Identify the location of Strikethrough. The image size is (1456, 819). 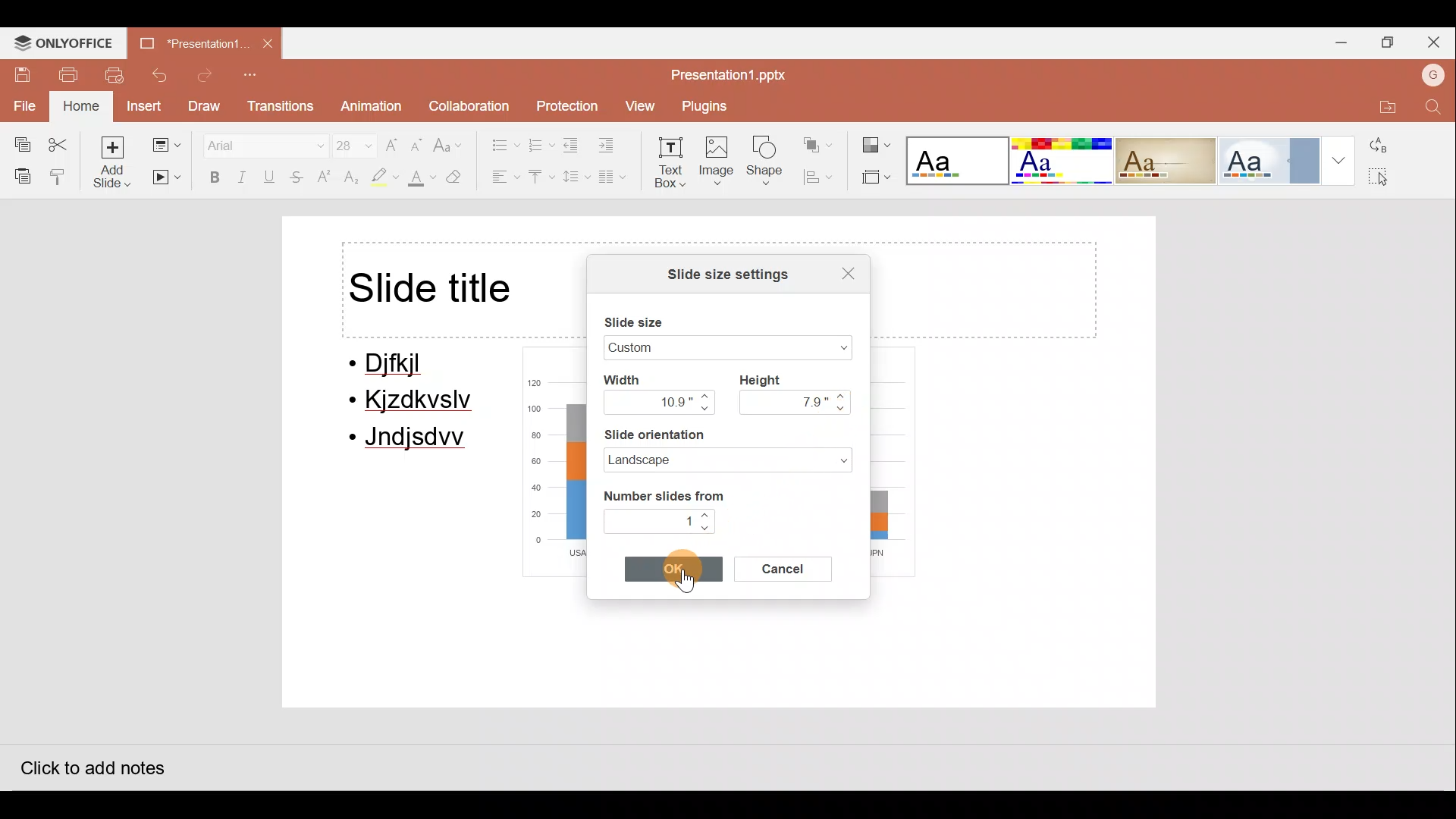
(298, 179).